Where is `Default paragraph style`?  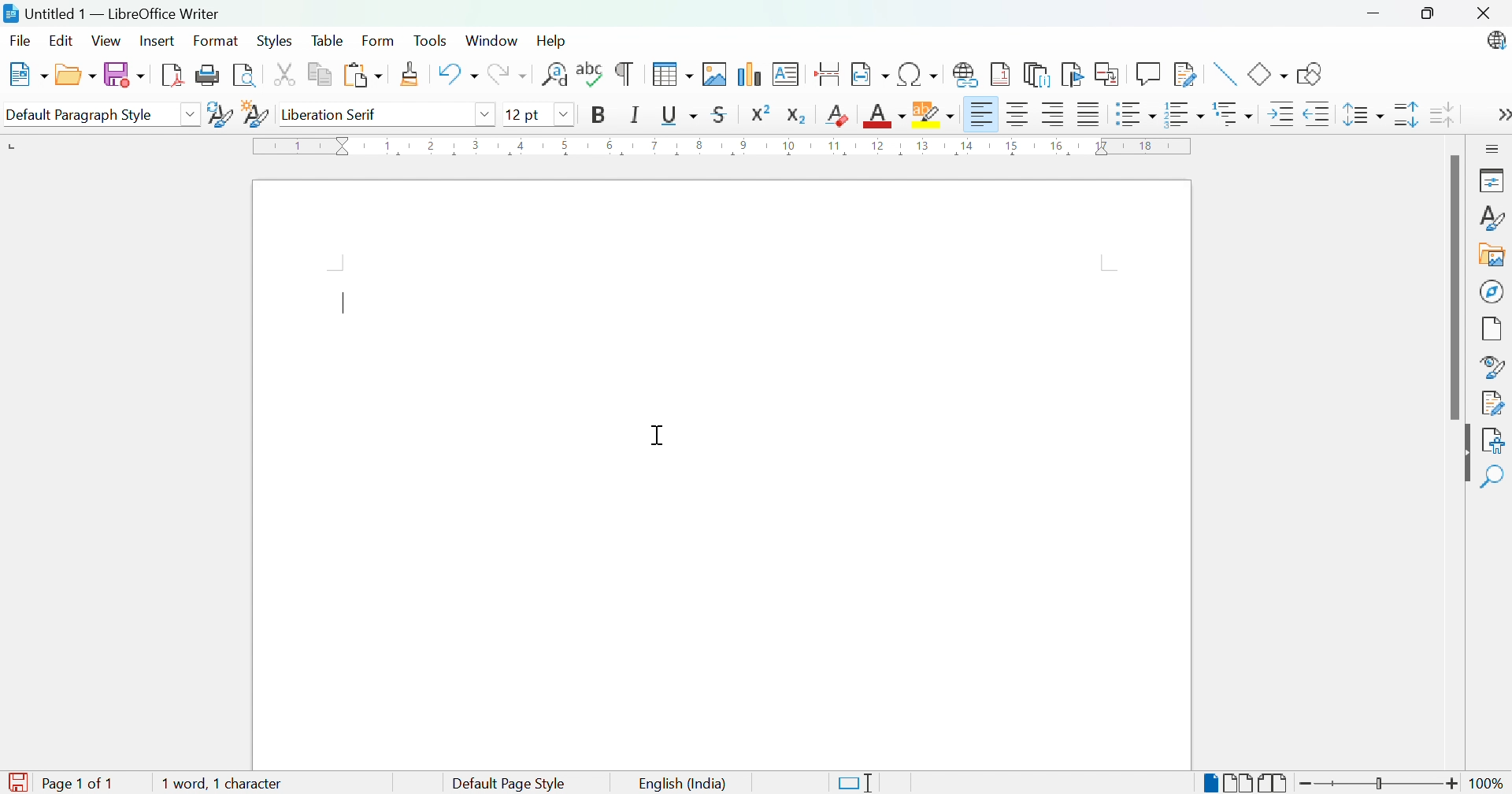
Default paragraph style is located at coordinates (80, 113).